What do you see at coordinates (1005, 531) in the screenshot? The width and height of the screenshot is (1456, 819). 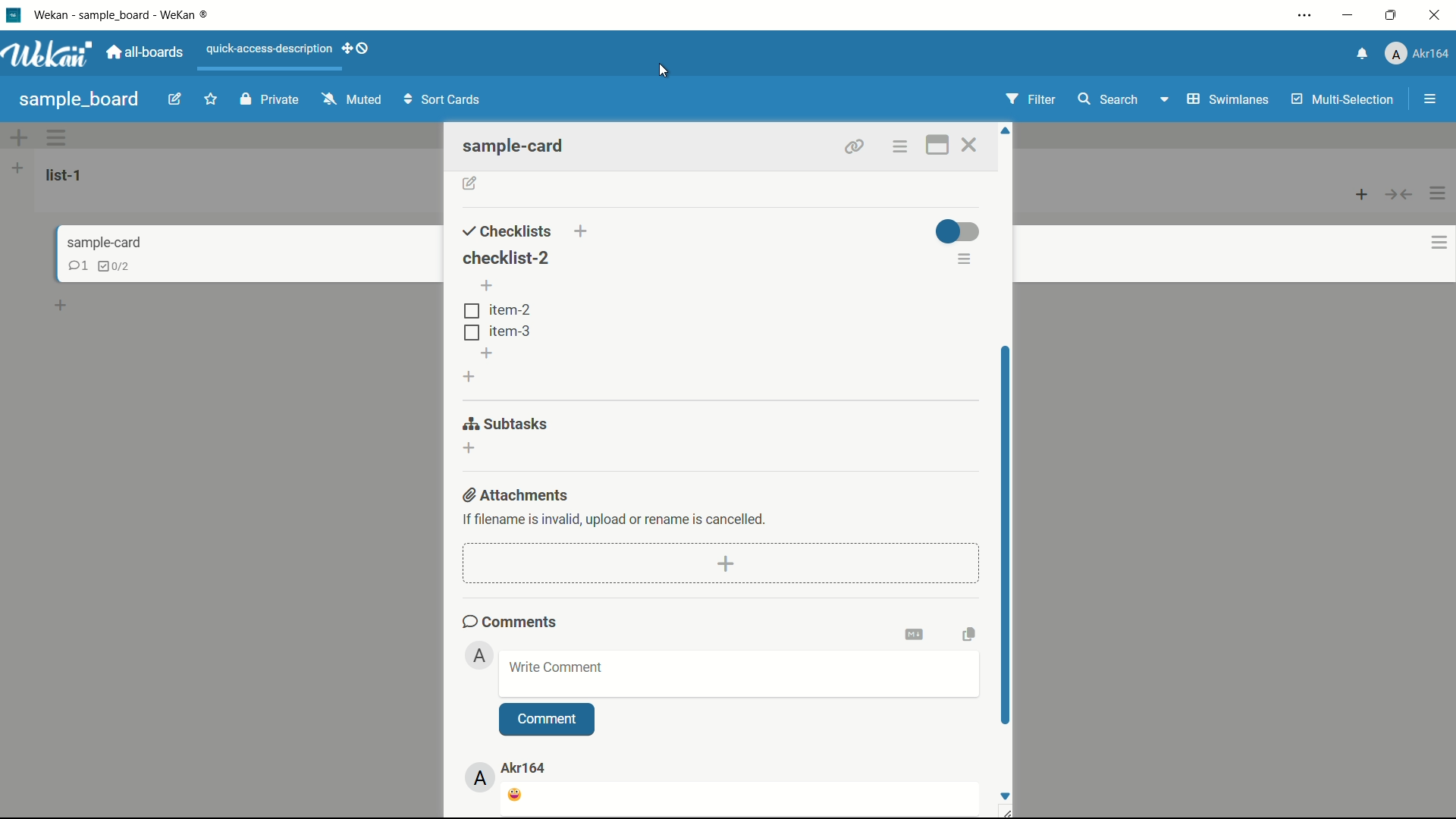 I see `scroll bar` at bounding box center [1005, 531].